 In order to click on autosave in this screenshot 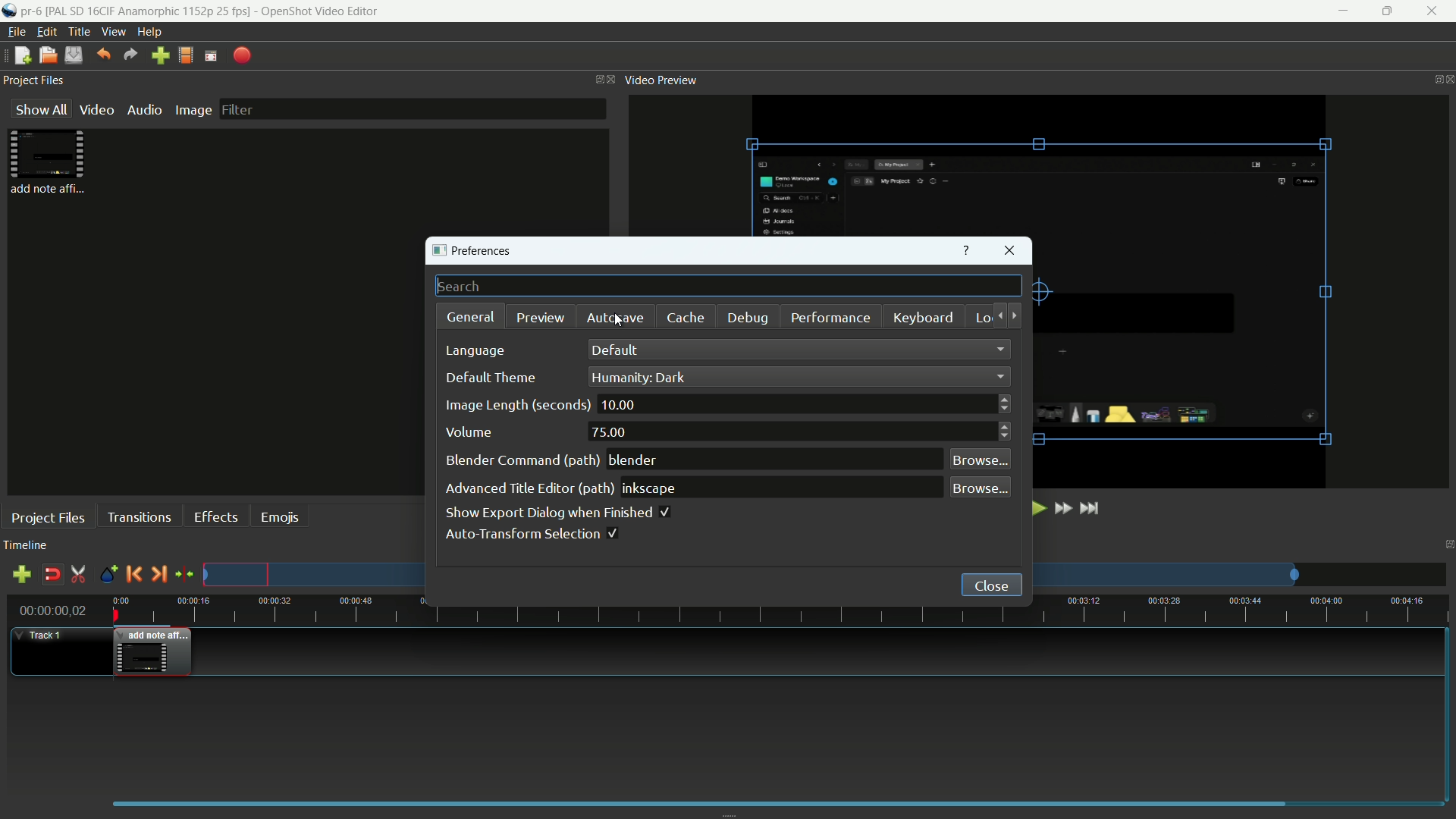, I will do `click(616, 318)`.